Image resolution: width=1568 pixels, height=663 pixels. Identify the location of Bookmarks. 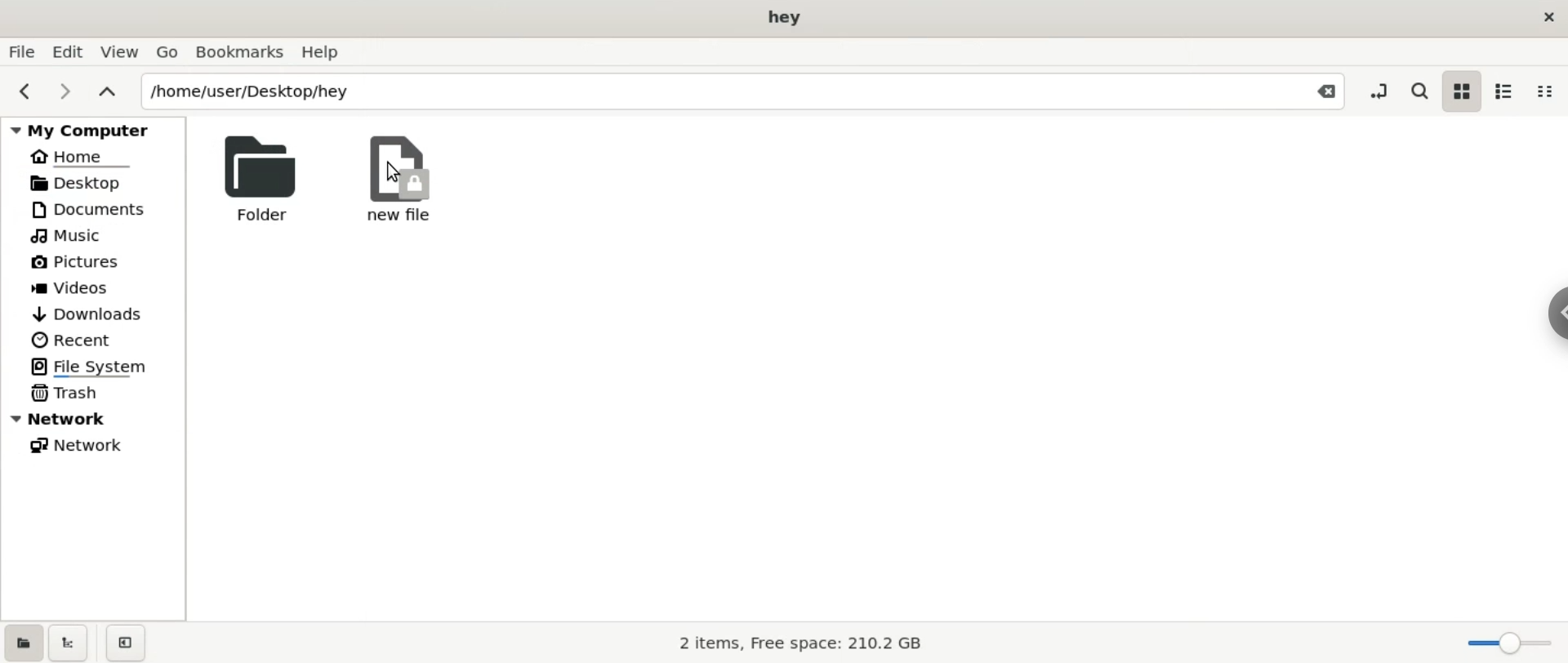
(239, 52).